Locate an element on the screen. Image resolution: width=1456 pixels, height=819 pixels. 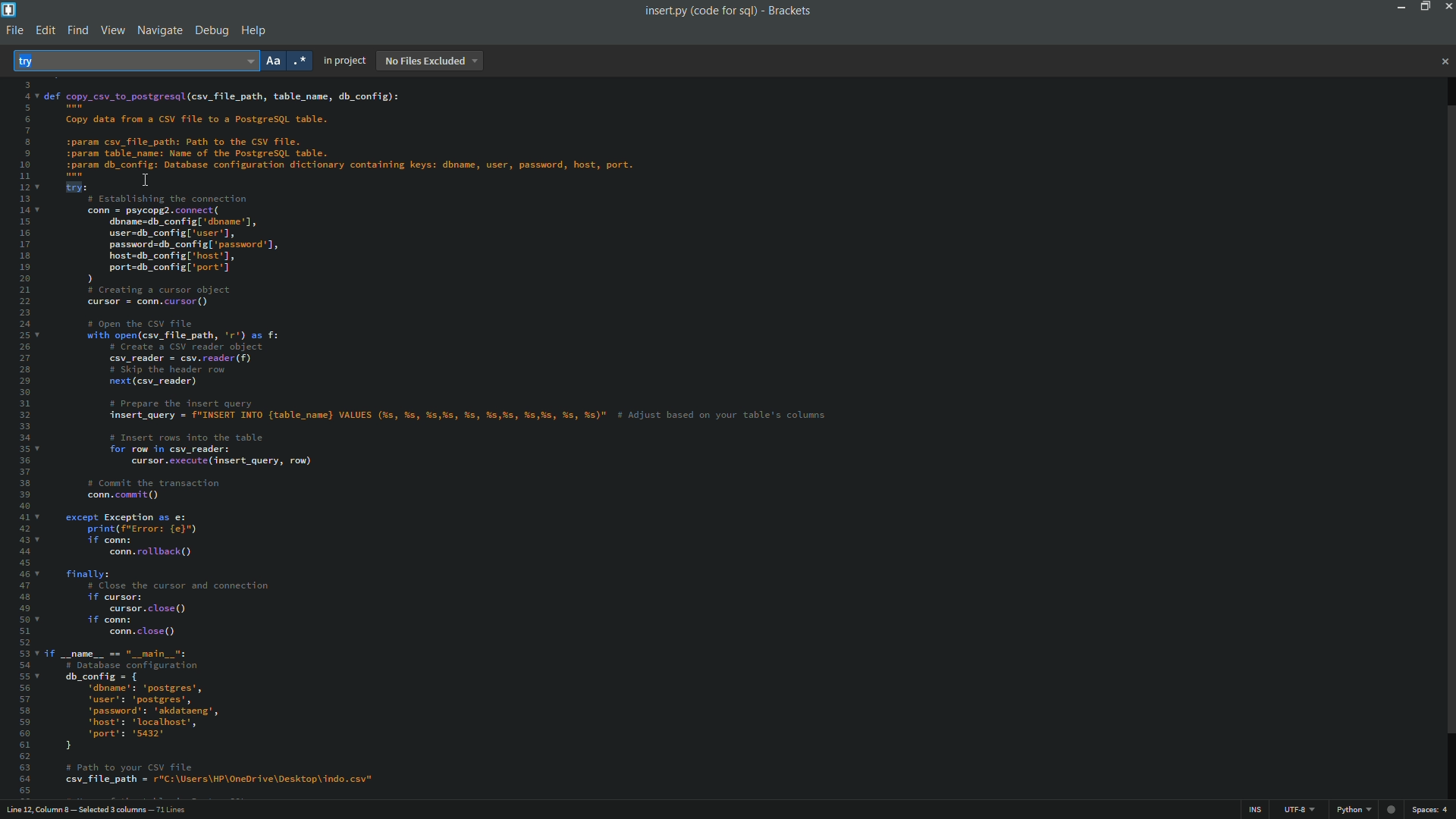
debug menu is located at coordinates (211, 32).